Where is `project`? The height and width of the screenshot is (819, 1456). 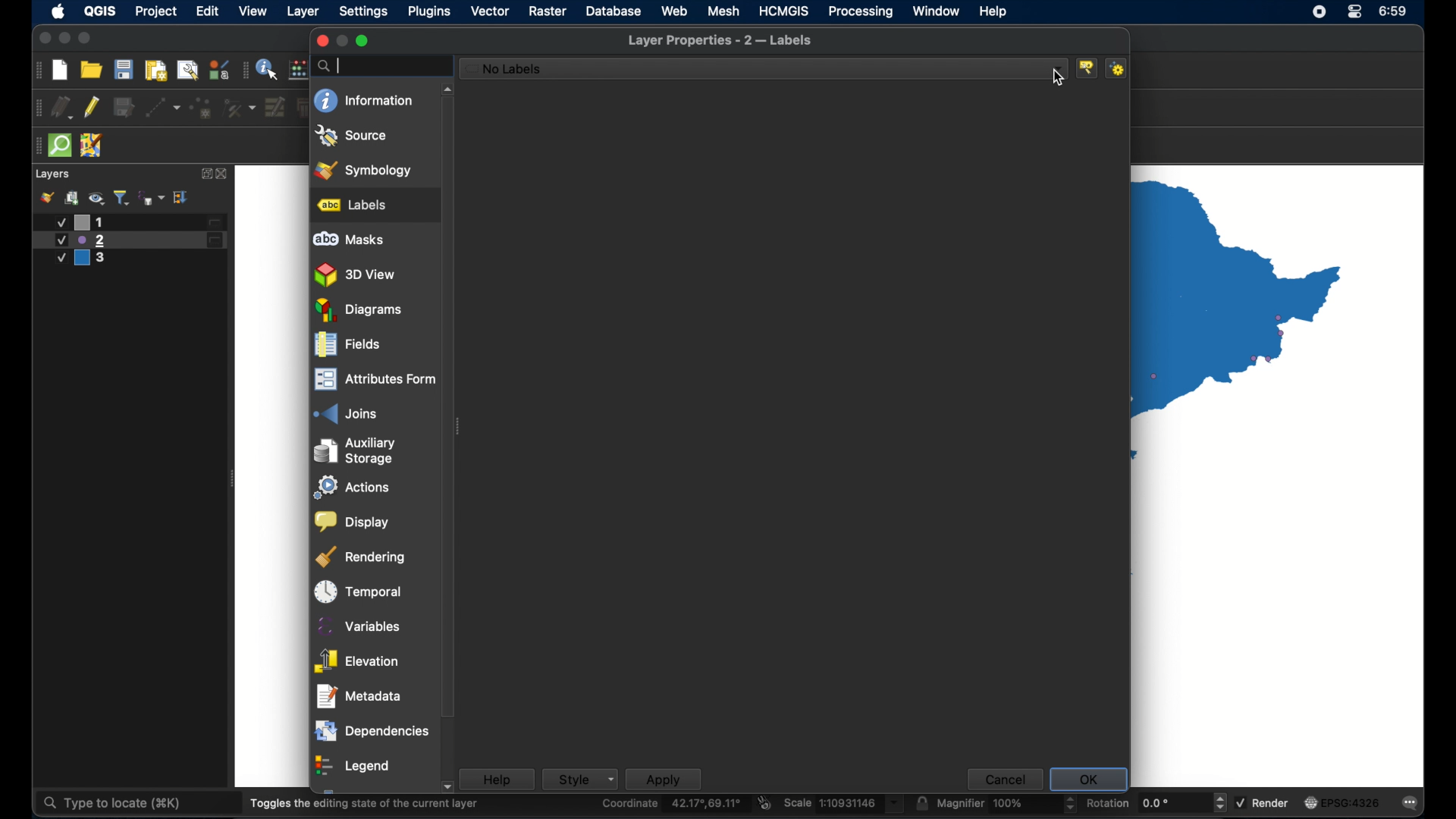 project is located at coordinates (155, 11).